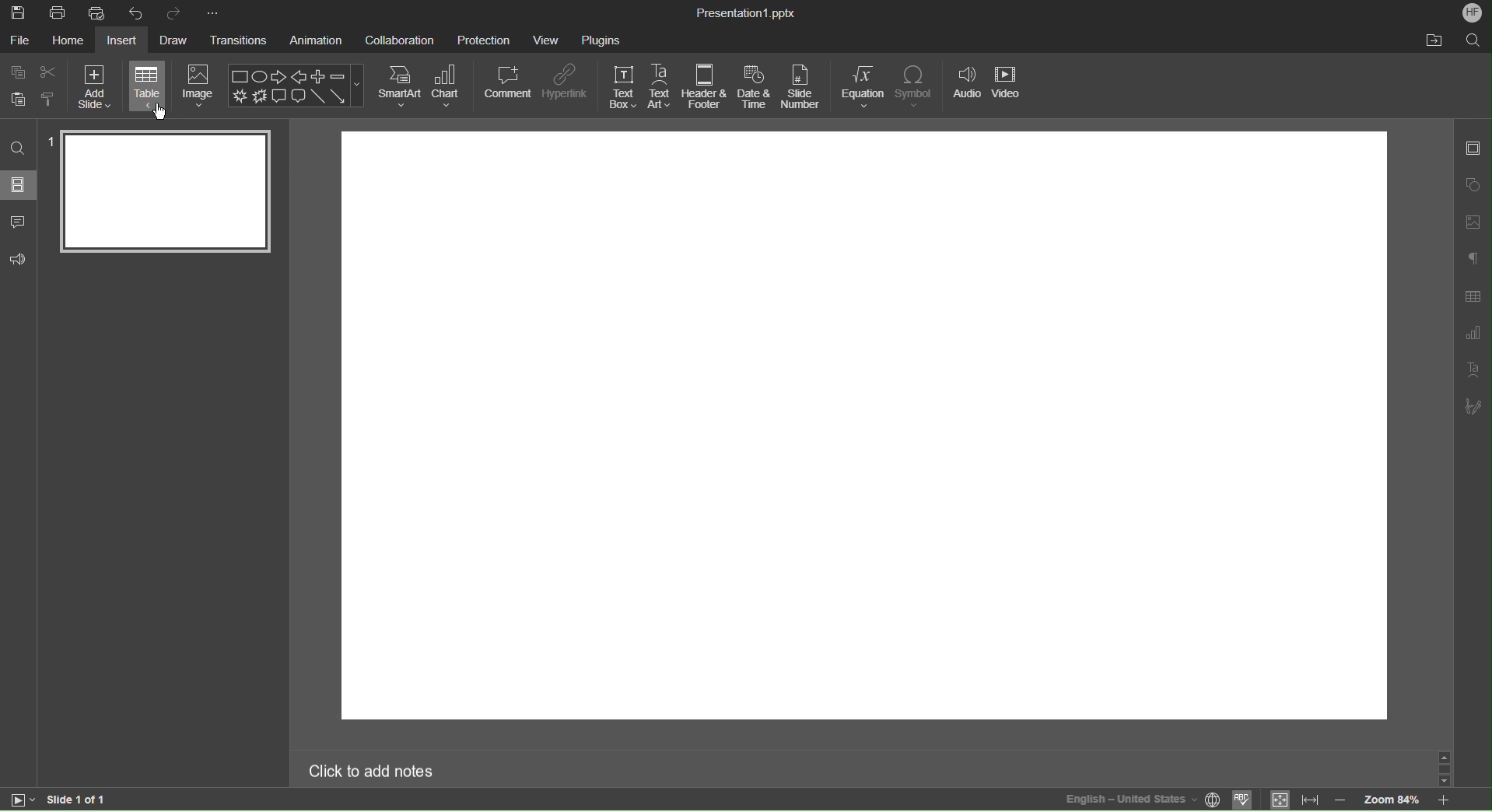 This screenshot has height=812, width=1492. Describe the element at coordinates (94, 88) in the screenshot. I see `Add Slide` at that location.